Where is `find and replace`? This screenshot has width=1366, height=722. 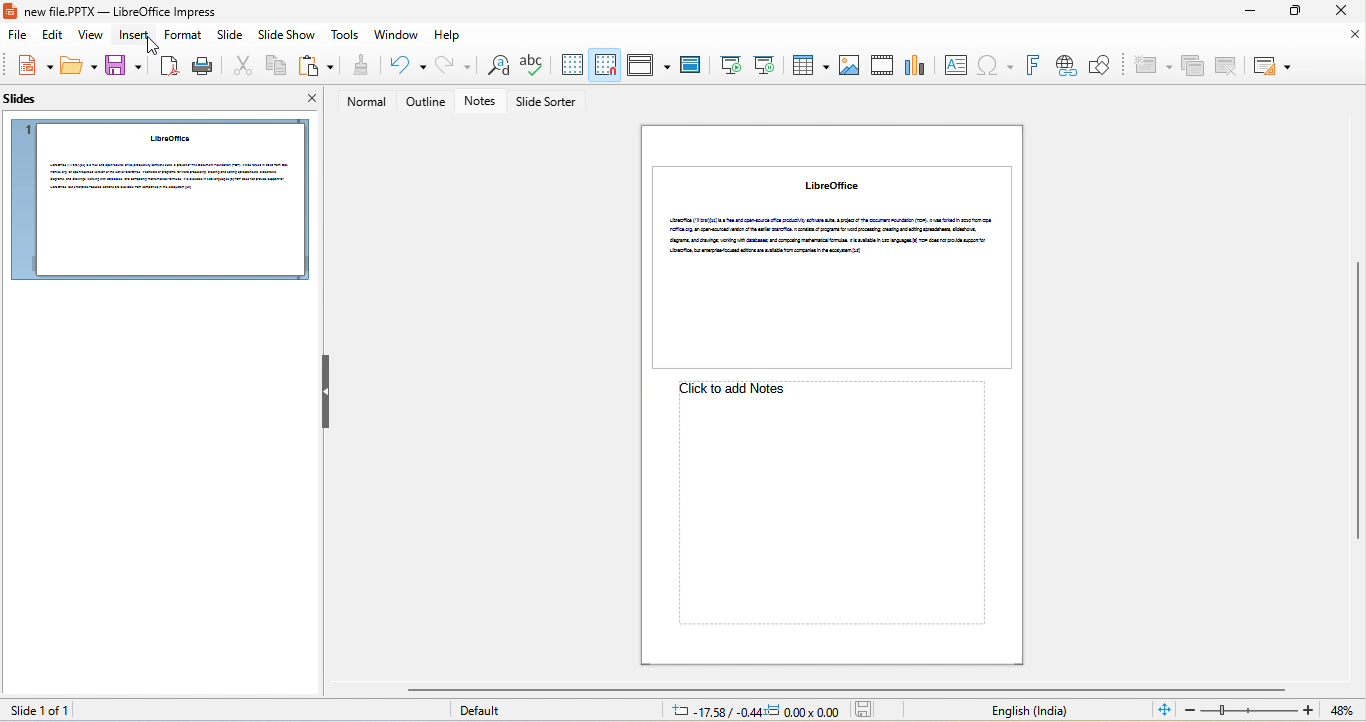
find and replace is located at coordinates (494, 67).